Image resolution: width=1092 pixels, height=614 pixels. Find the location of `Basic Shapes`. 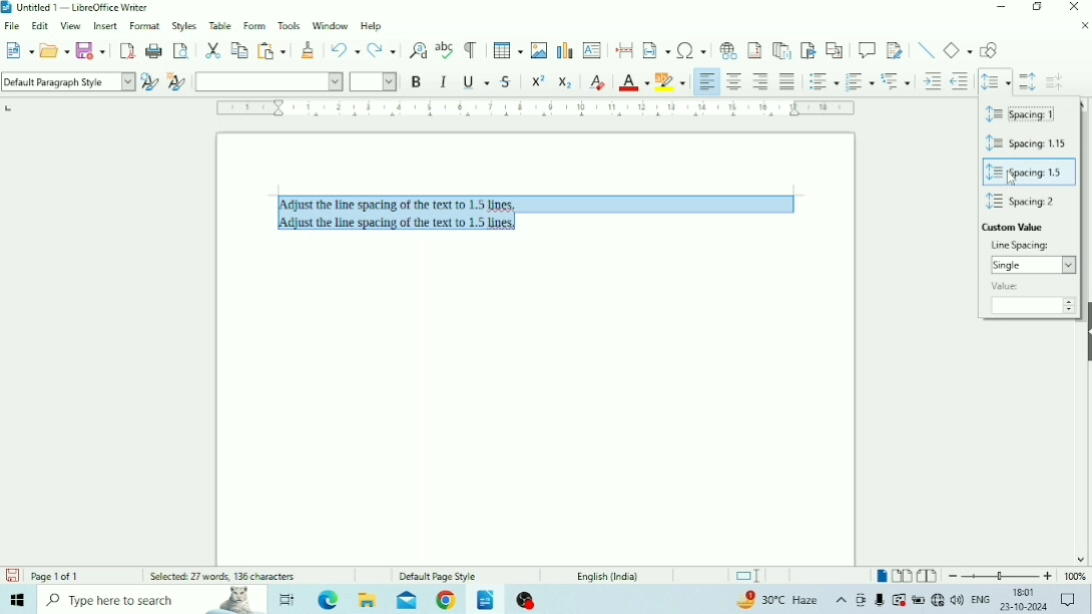

Basic Shapes is located at coordinates (957, 49).